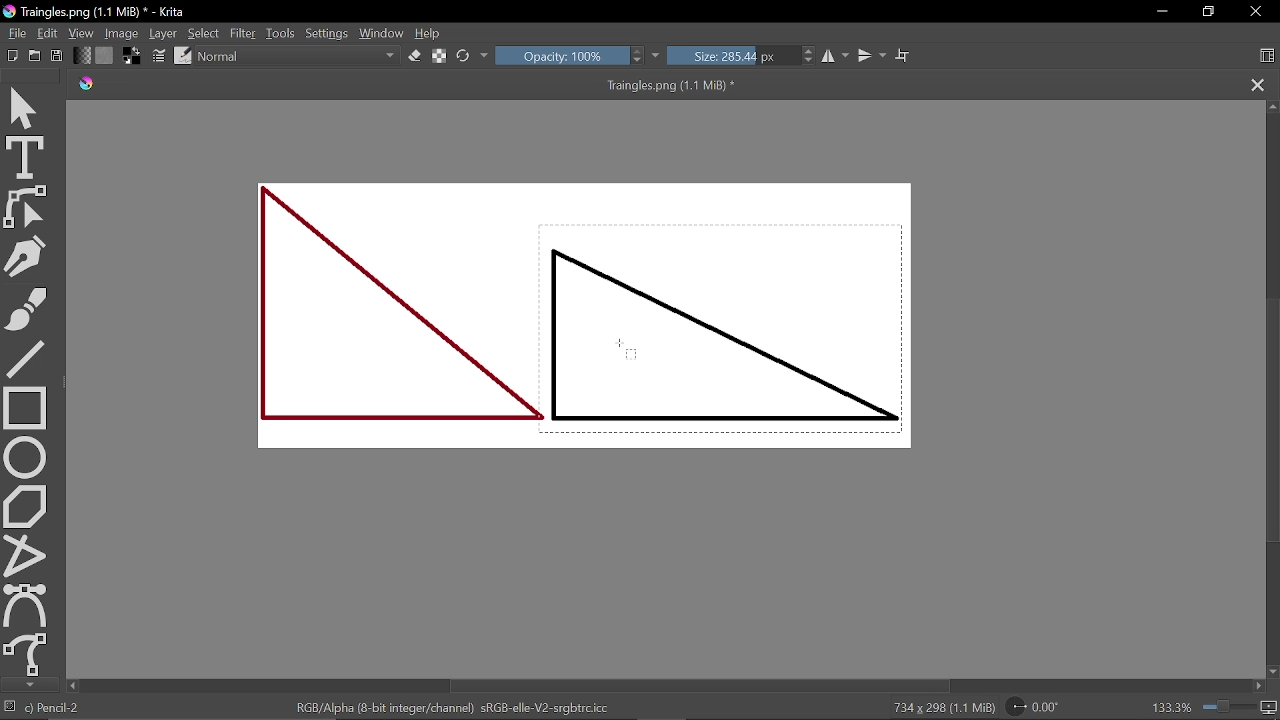 The image size is (1280, 720). What do you see at coordinates (47, 33) in the screenshot?
I see `Edit` at bounding box center [47, 33].